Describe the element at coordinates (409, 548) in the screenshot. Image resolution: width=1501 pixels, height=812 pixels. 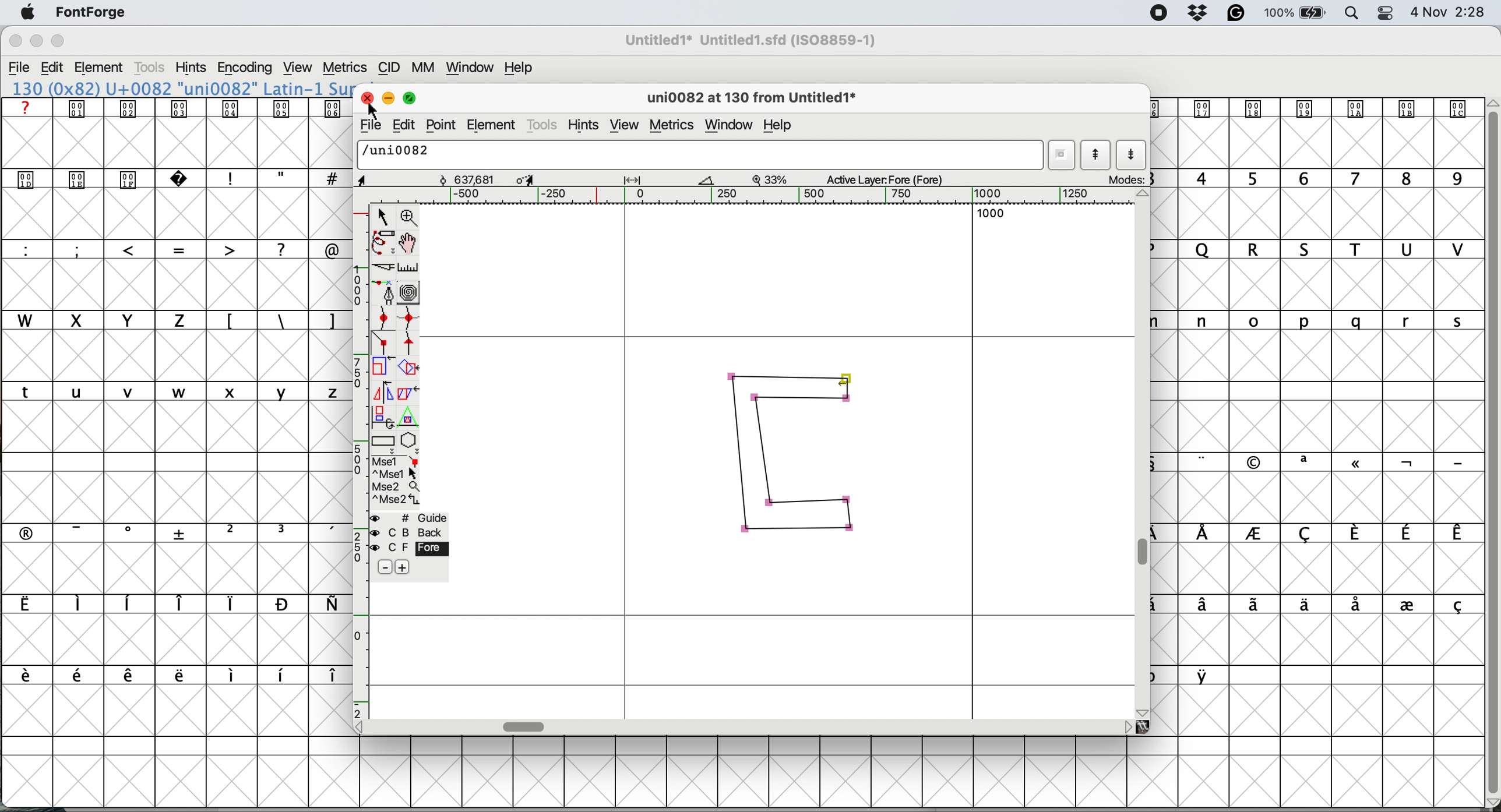
I see `fore` at that location.